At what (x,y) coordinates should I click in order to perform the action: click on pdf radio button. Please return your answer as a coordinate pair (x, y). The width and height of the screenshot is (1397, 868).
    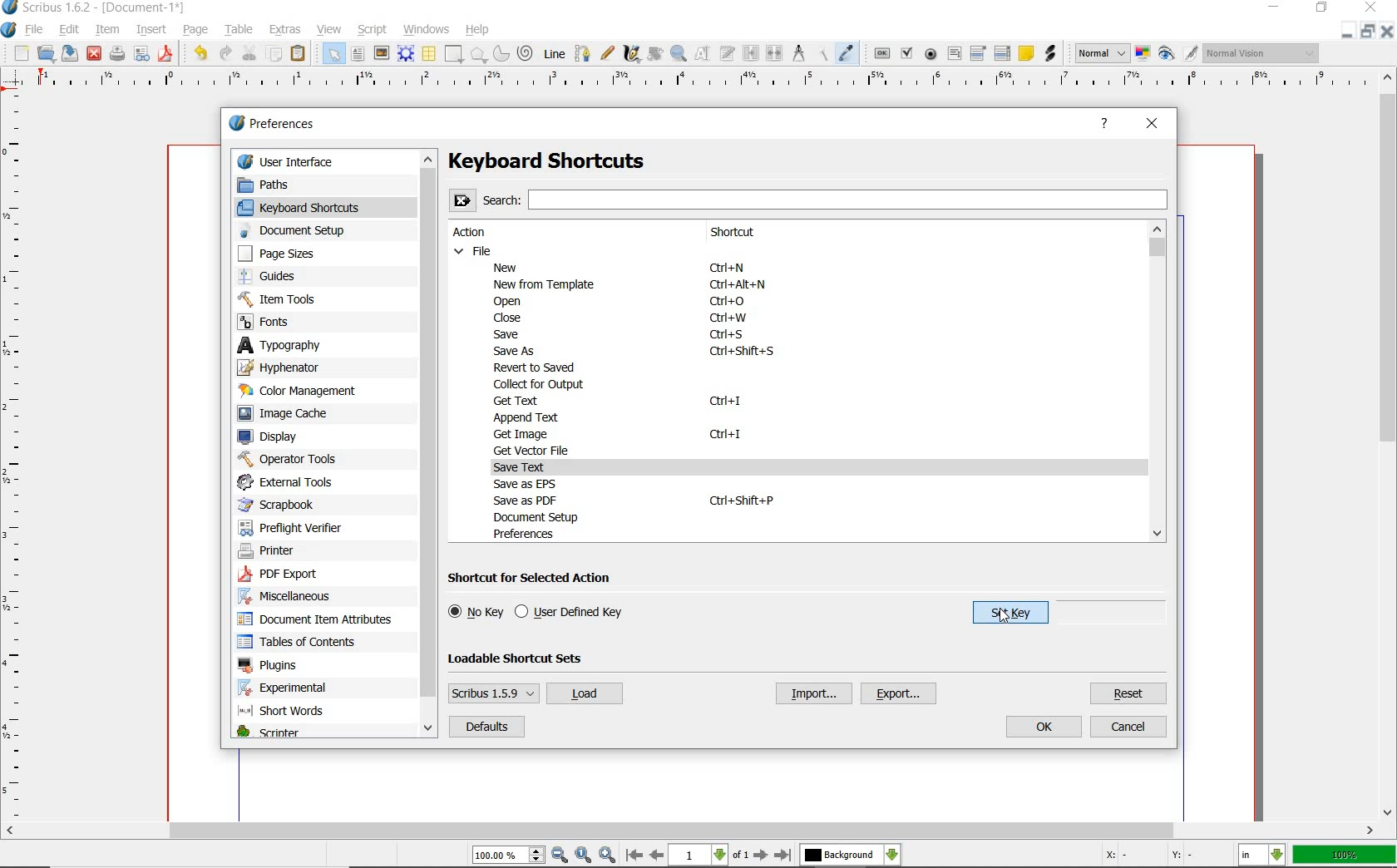
    Looking at the image, I should click on (932, 54).